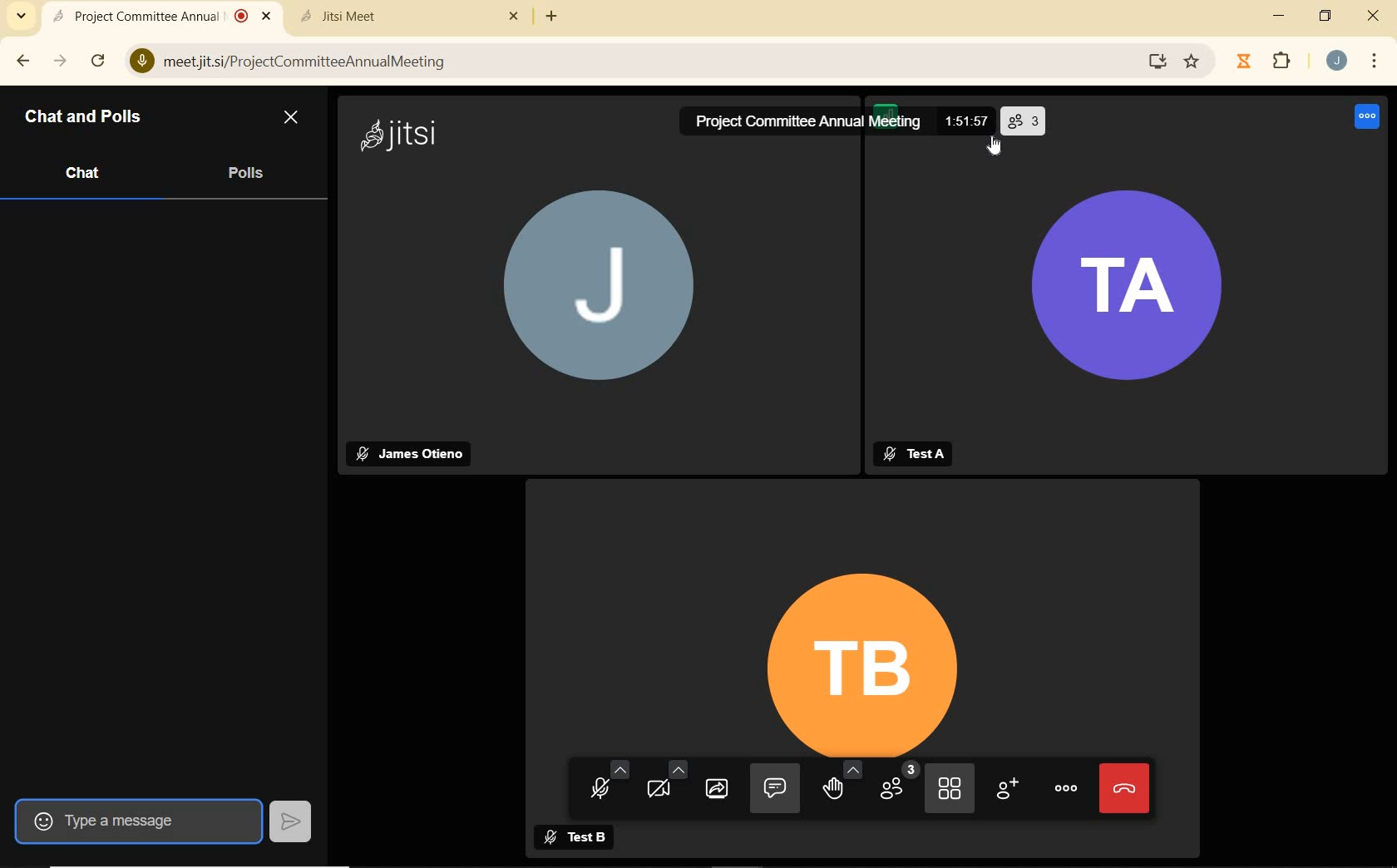 Image resolution: width=1397 pixels, height=868 pixels. Describe the element at coordinates (860, 641) in the screenshot. I see `participant's Profile Picture` at that location.